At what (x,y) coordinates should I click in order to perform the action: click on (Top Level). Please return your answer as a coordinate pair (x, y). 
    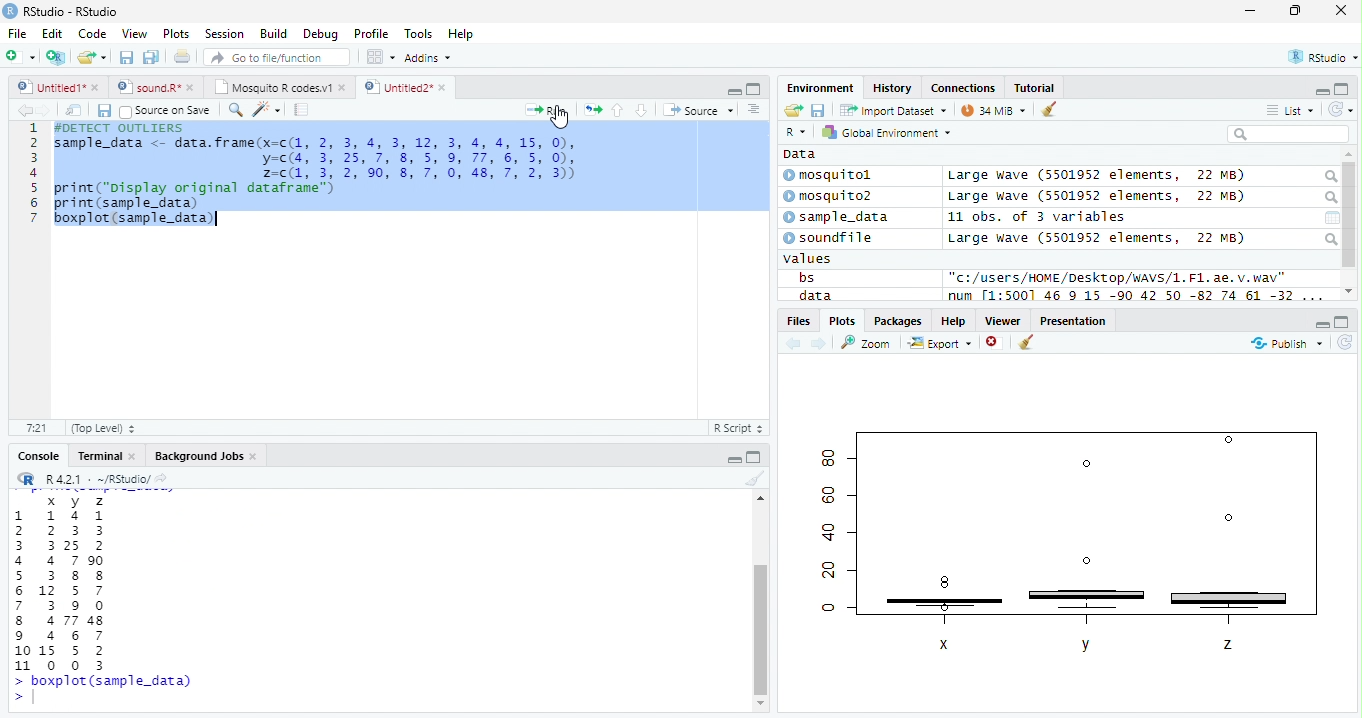
    Looking at the image, I should click on (103, 429).